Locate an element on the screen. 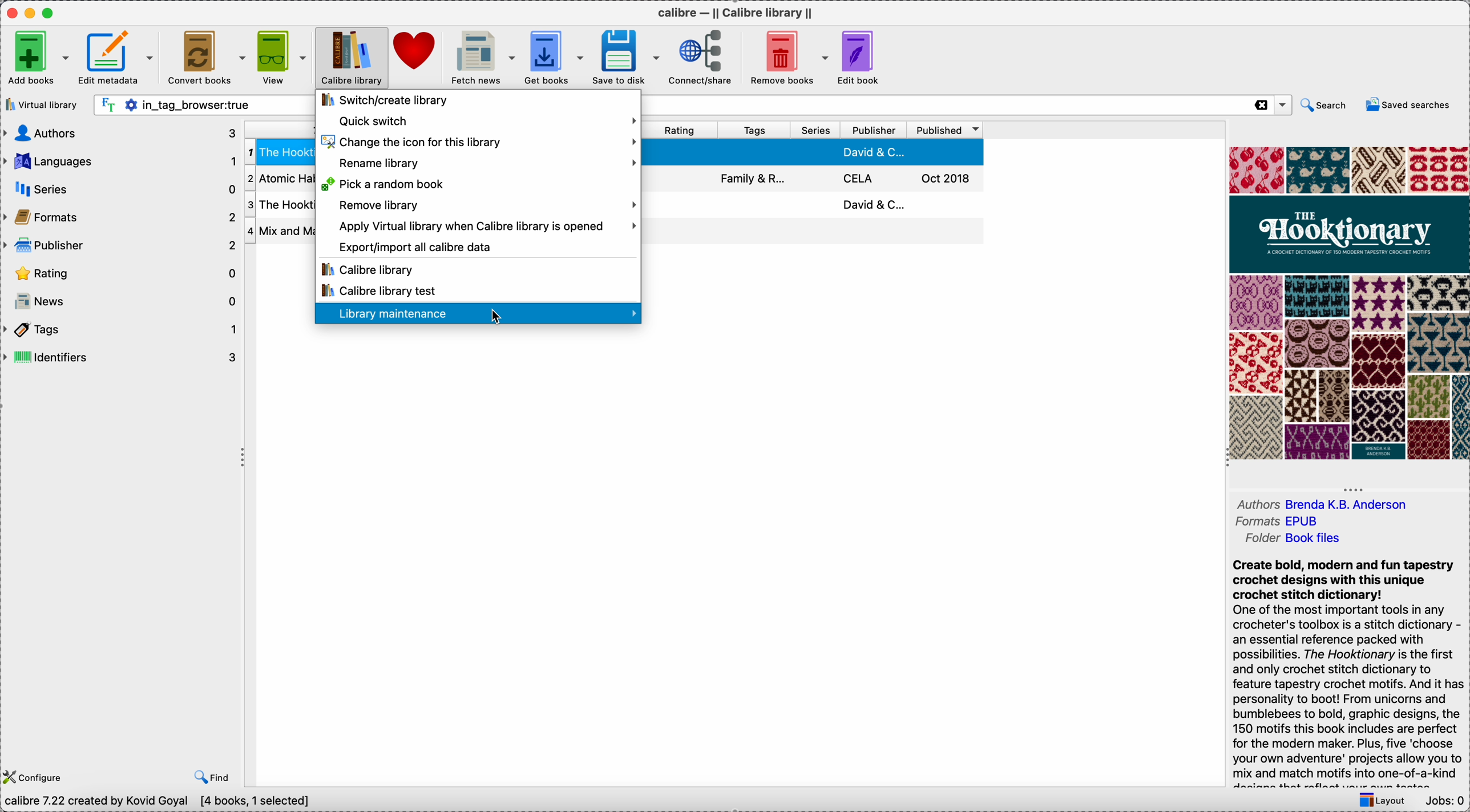 This screenshot has width=1470, height=812. rating is located at coordinates (681, 130).